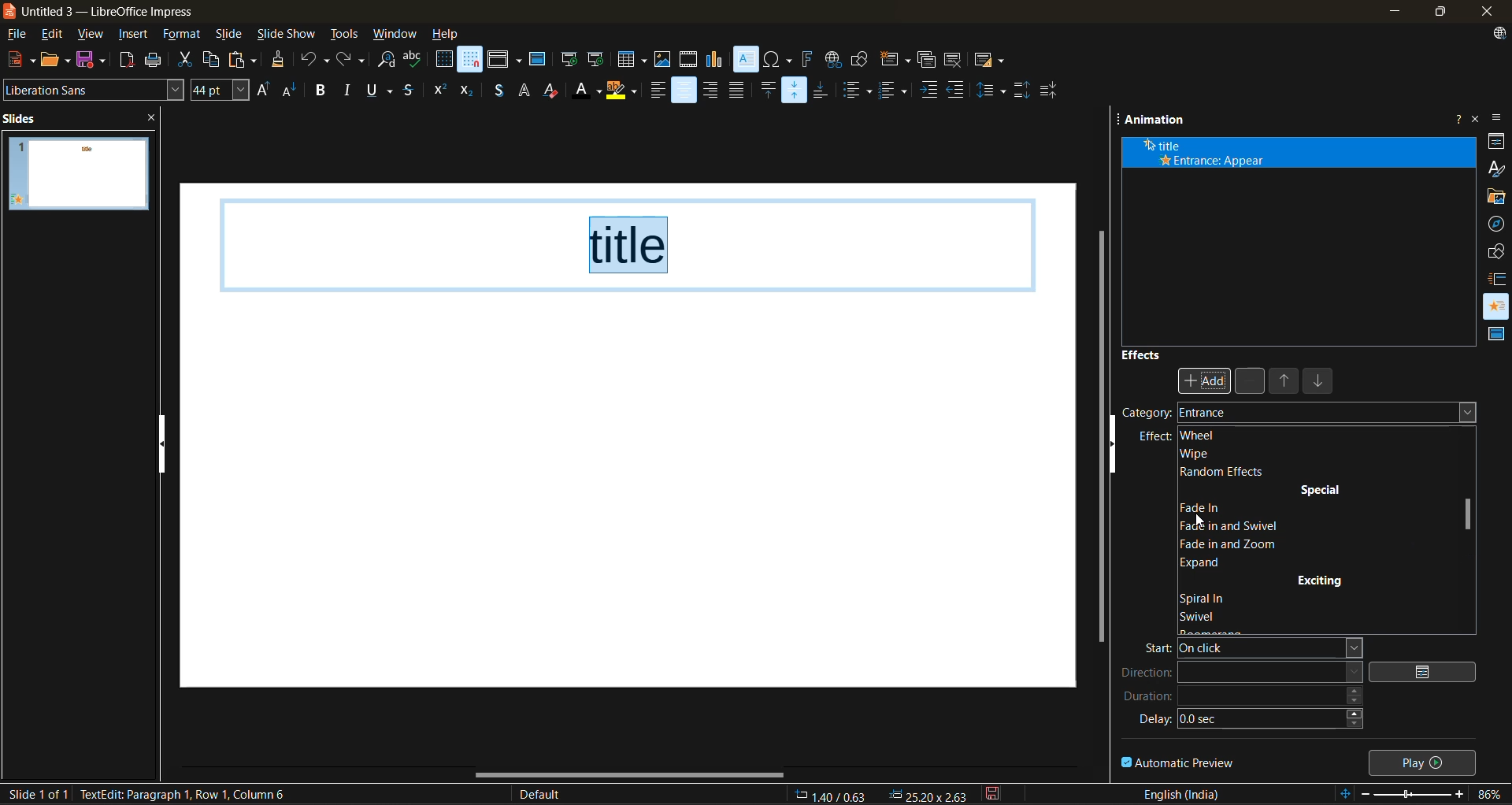 Image resolution: width=1512 pixels, height=805 pixels. What do you see at coordinates (1477, 117) in the screenshot?
I see `close sidebar deck` at bounding box center [1477, 117].